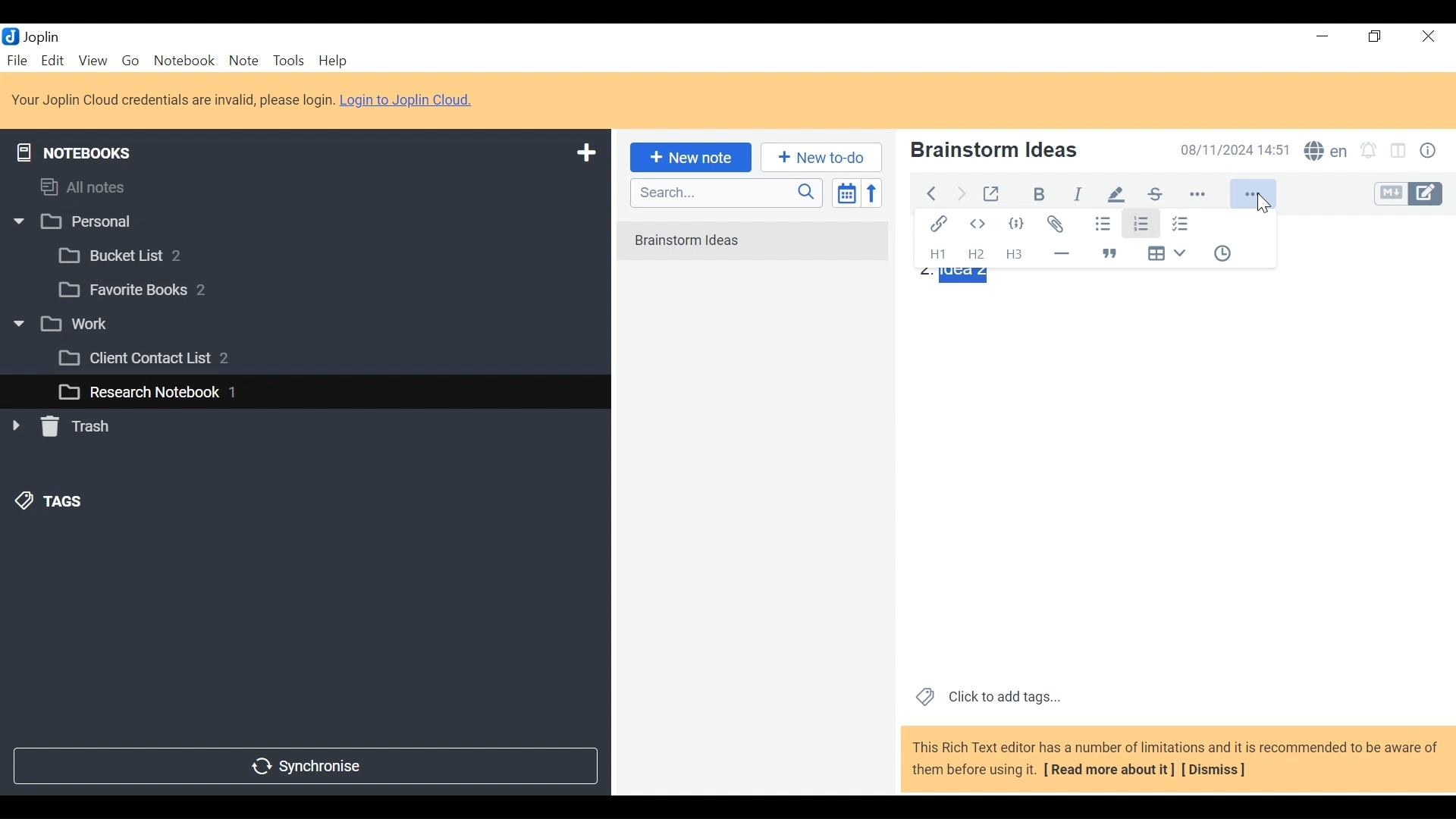 The image size is (1456, 819). What do you see at coordinates (930, 191) in the screenshot?
I see `Back` at bounding box center [930, 191].